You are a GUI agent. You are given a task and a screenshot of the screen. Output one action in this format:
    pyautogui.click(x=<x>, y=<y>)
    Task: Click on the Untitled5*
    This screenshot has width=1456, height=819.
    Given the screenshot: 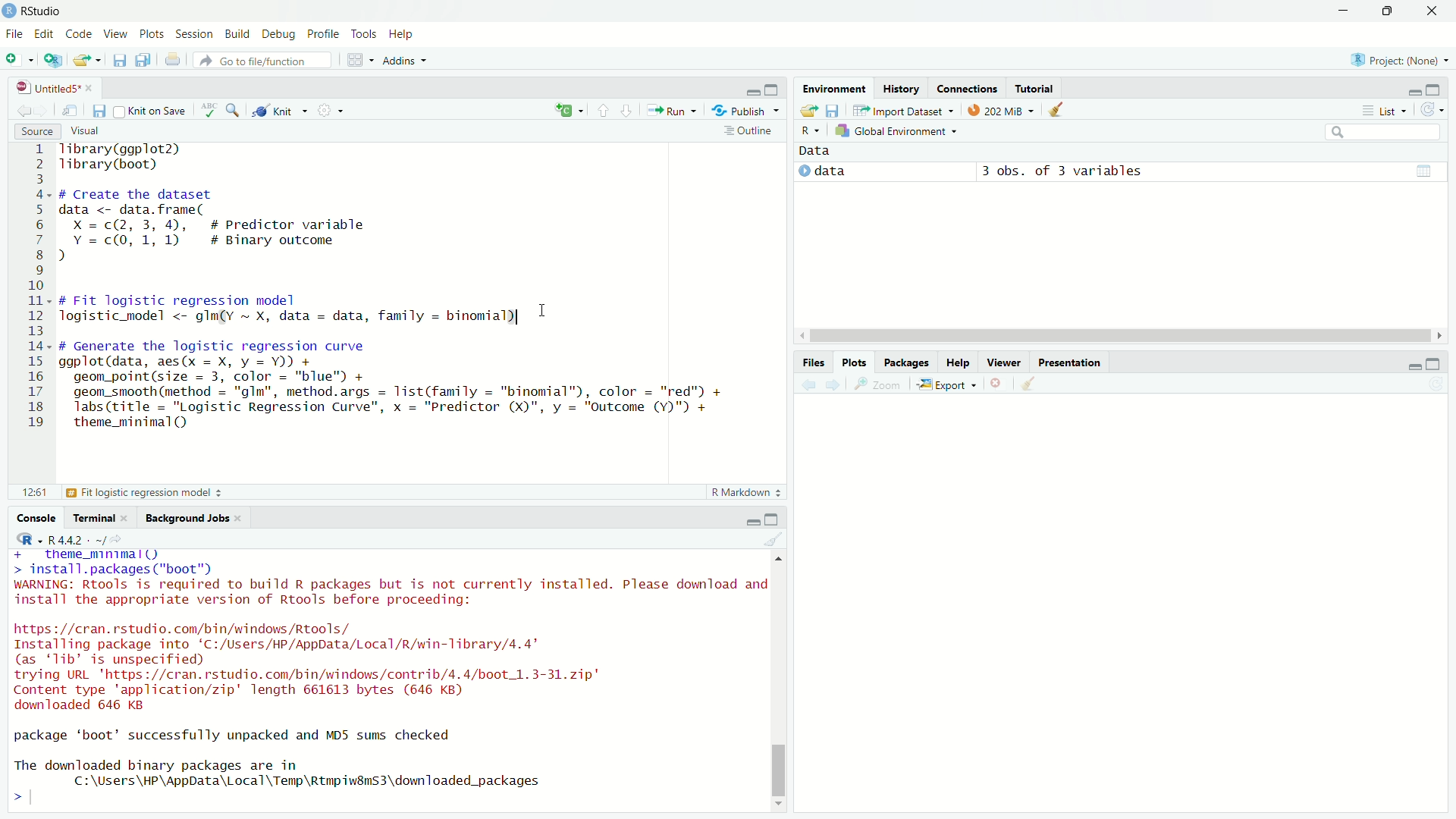 What is the action you would take?
    pyautogui.click(x=47, y=88)
    